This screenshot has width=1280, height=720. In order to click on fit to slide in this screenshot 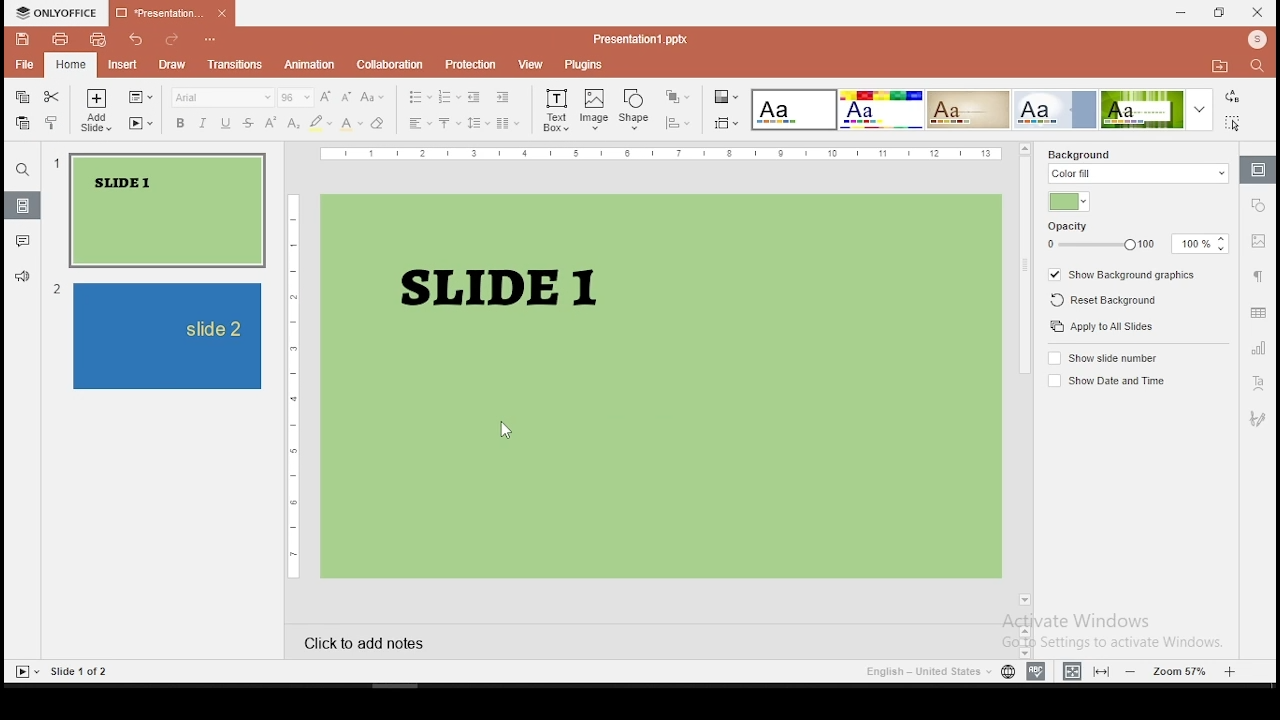, I will do `click(1072, 669)`.